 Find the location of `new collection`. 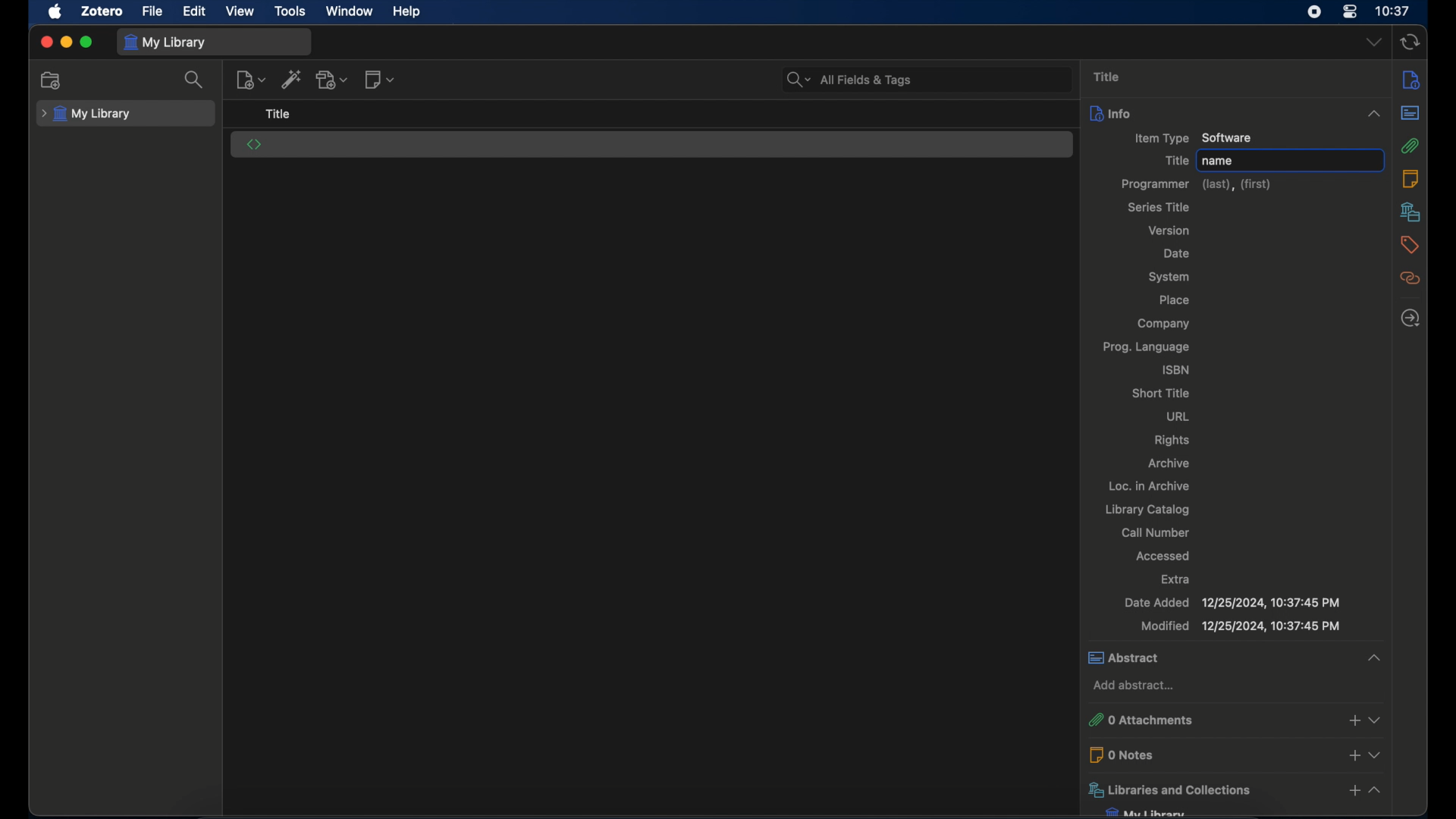

new collection is located at coordinates (53, 81).